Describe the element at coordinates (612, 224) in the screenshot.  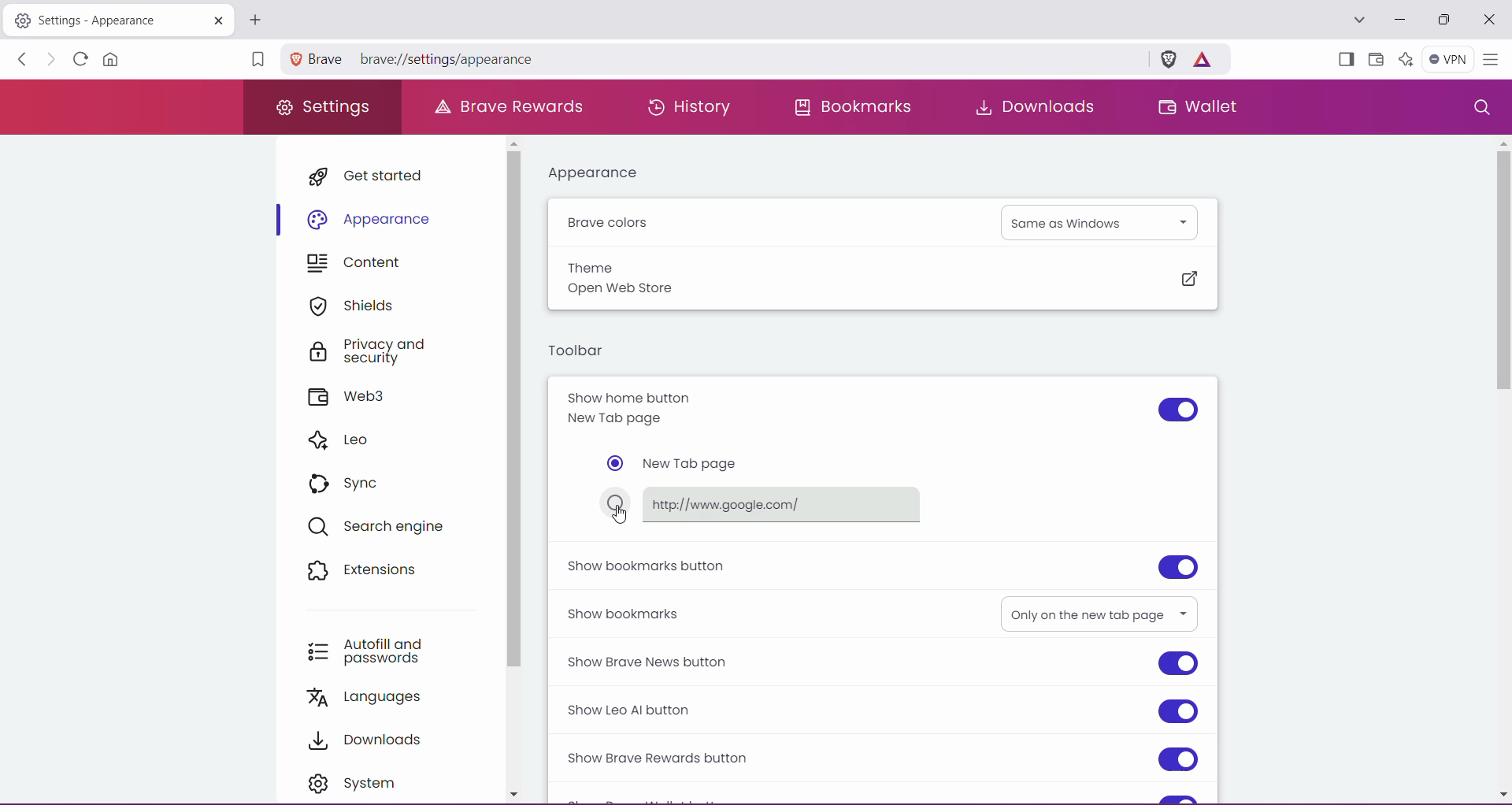
I see `Brave colors` at that location.